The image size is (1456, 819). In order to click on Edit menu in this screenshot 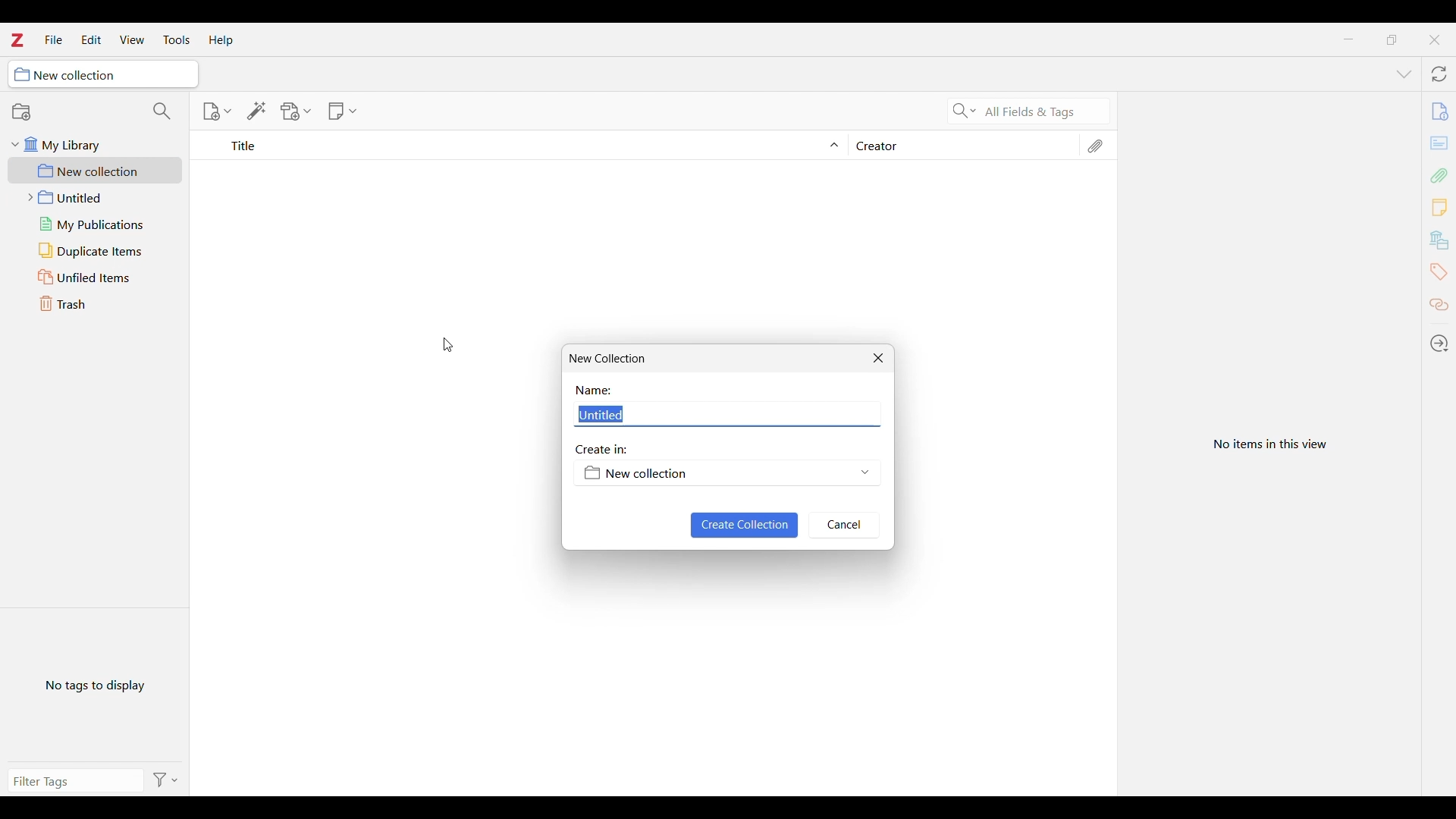, I will do `click(92, 39)`.